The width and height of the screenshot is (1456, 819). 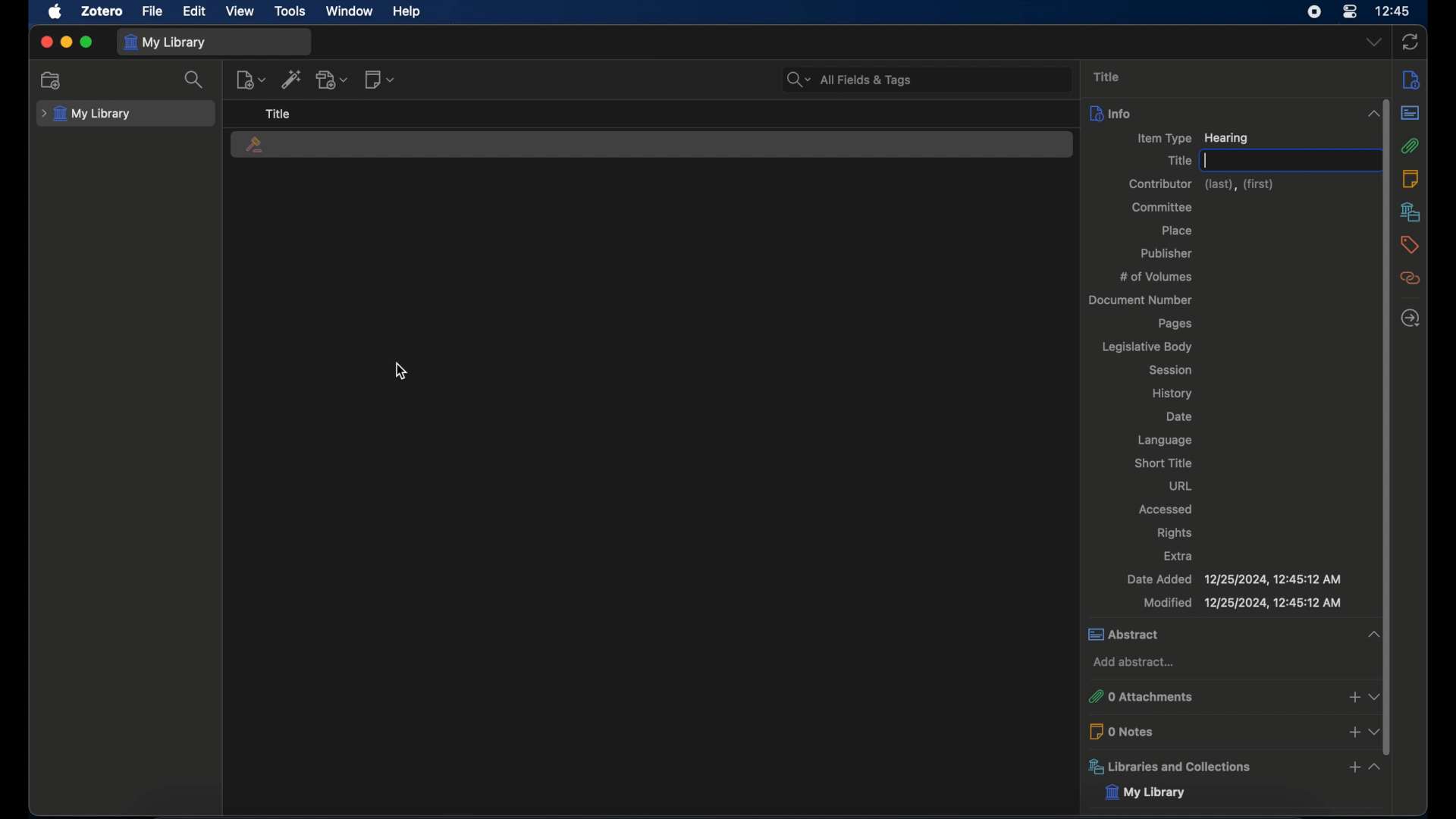 I want to click on title, so click(x=278, y=113).